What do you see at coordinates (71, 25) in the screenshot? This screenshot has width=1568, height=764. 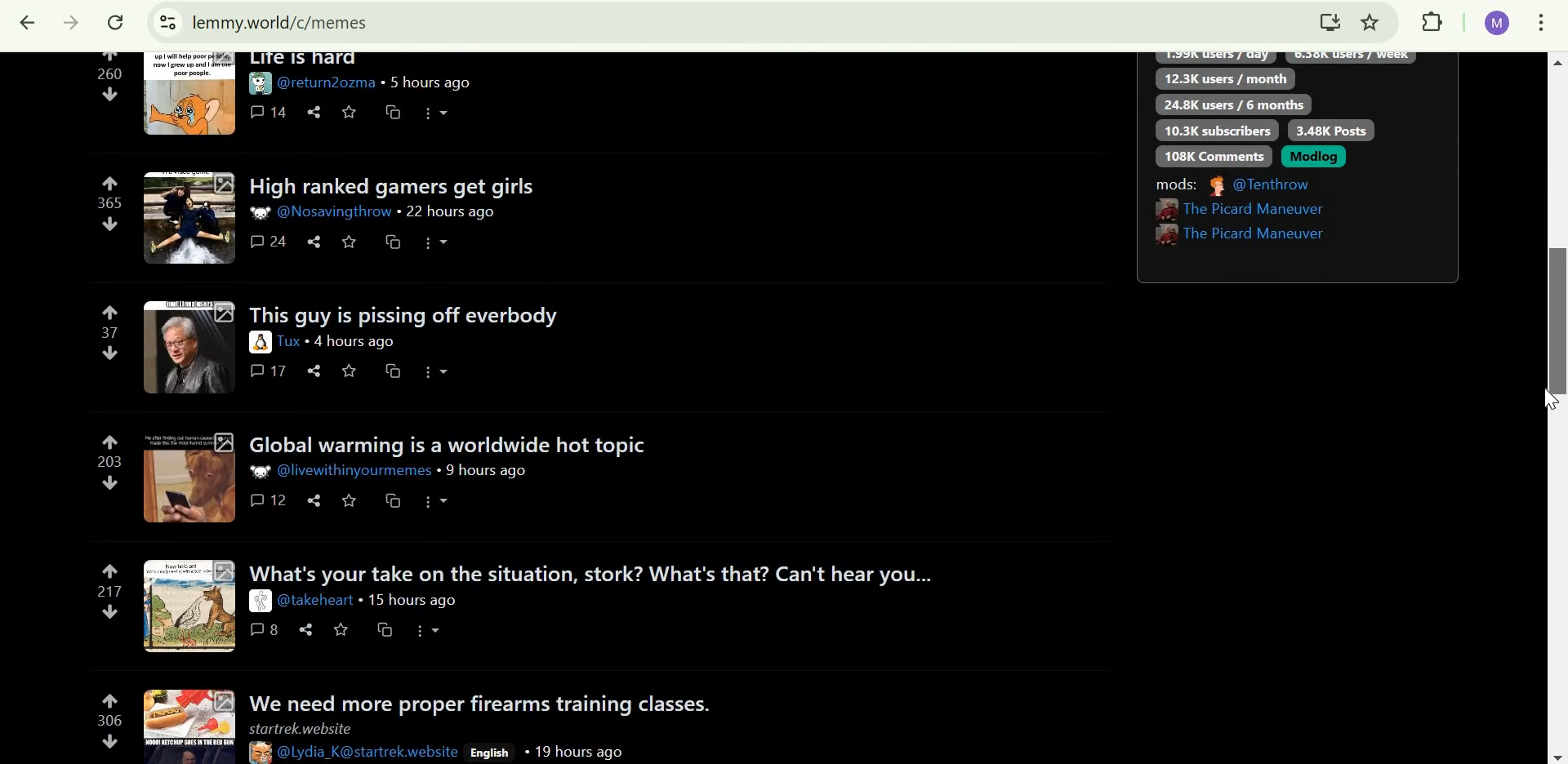 I see `Click to go forward, hold to see history` at bounding box center [71, 25].